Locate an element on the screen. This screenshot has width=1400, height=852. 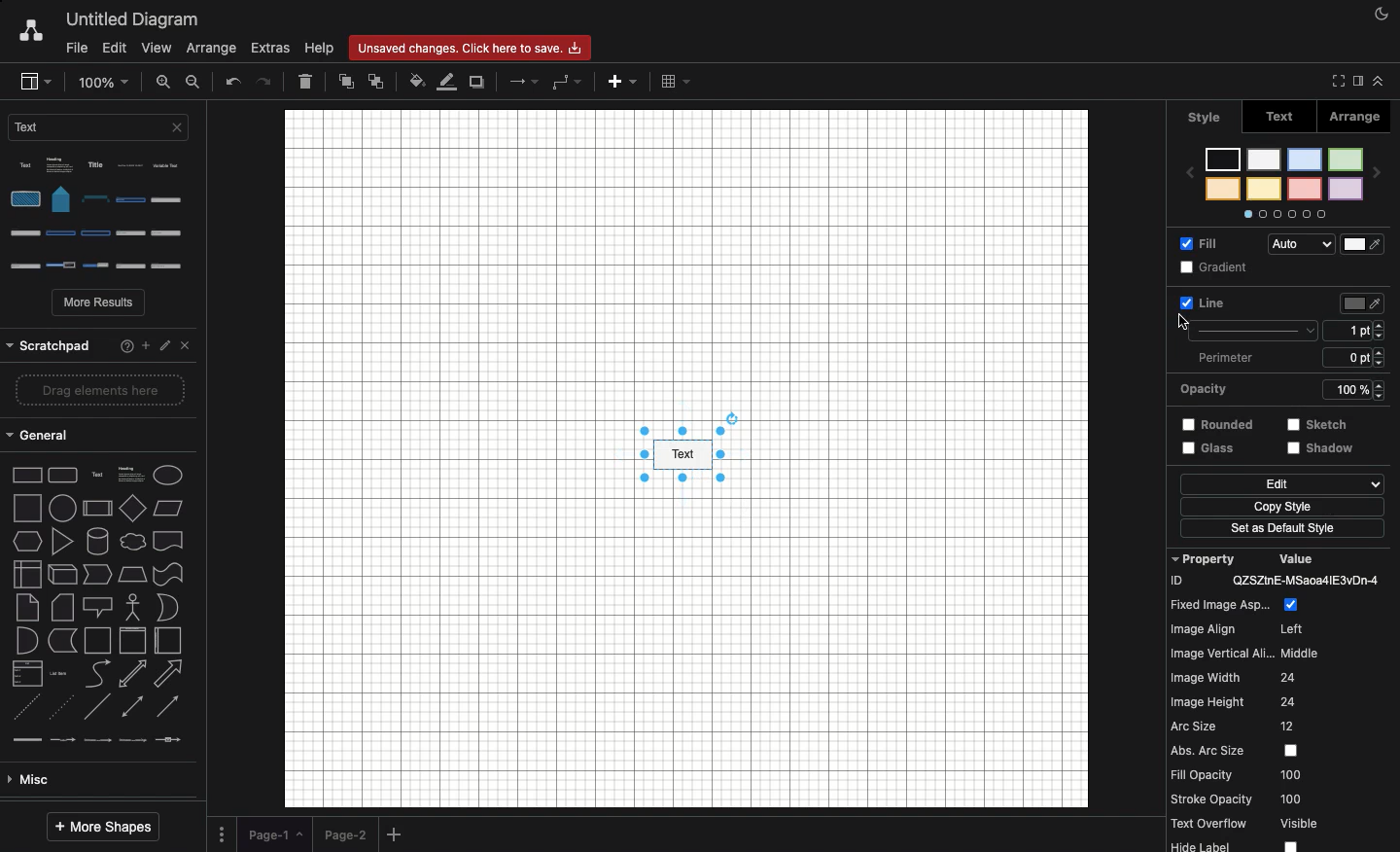
Add is located at coordinates (620, 85).